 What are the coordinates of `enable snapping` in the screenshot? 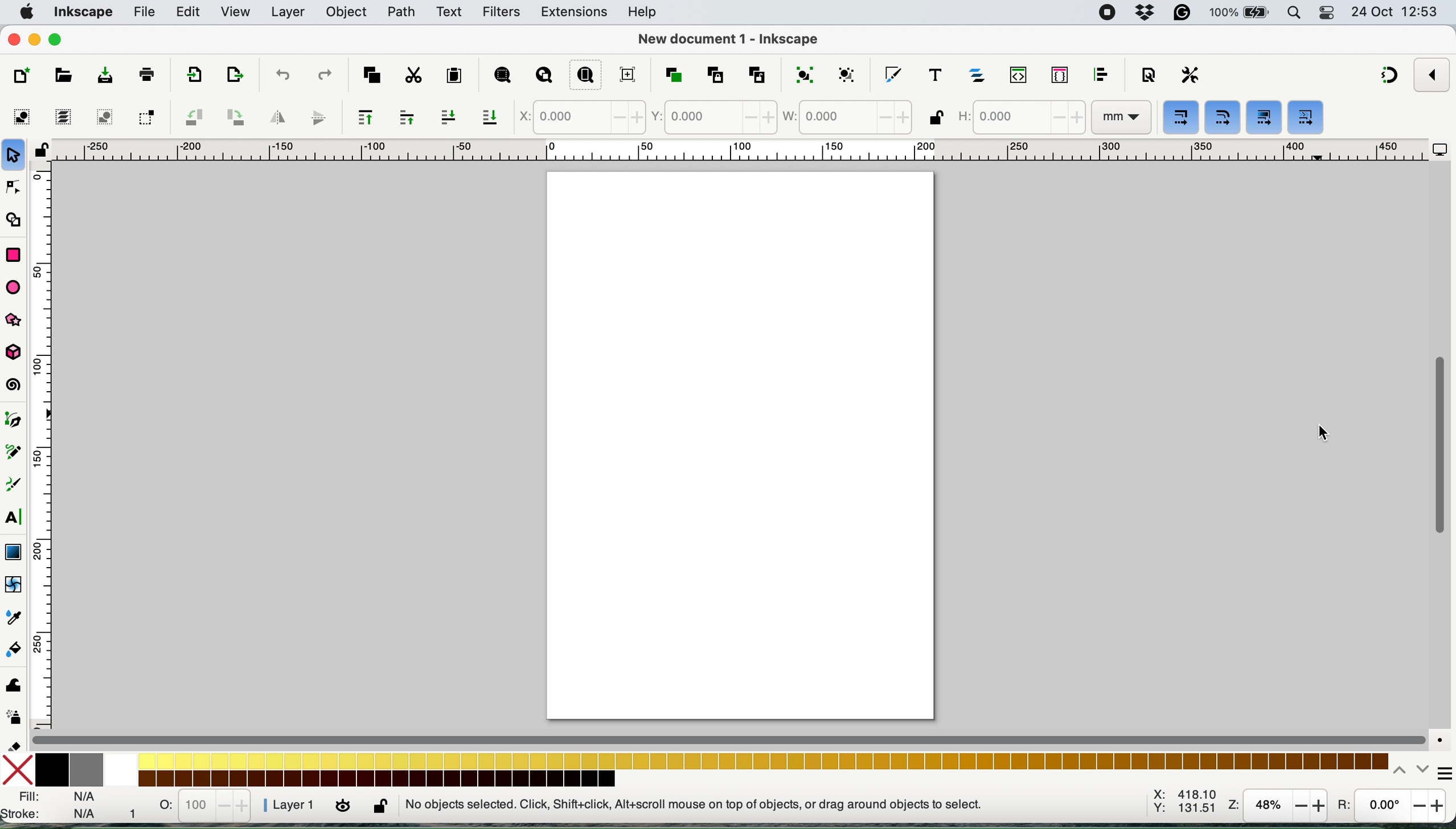 It's located at (1429, 75).